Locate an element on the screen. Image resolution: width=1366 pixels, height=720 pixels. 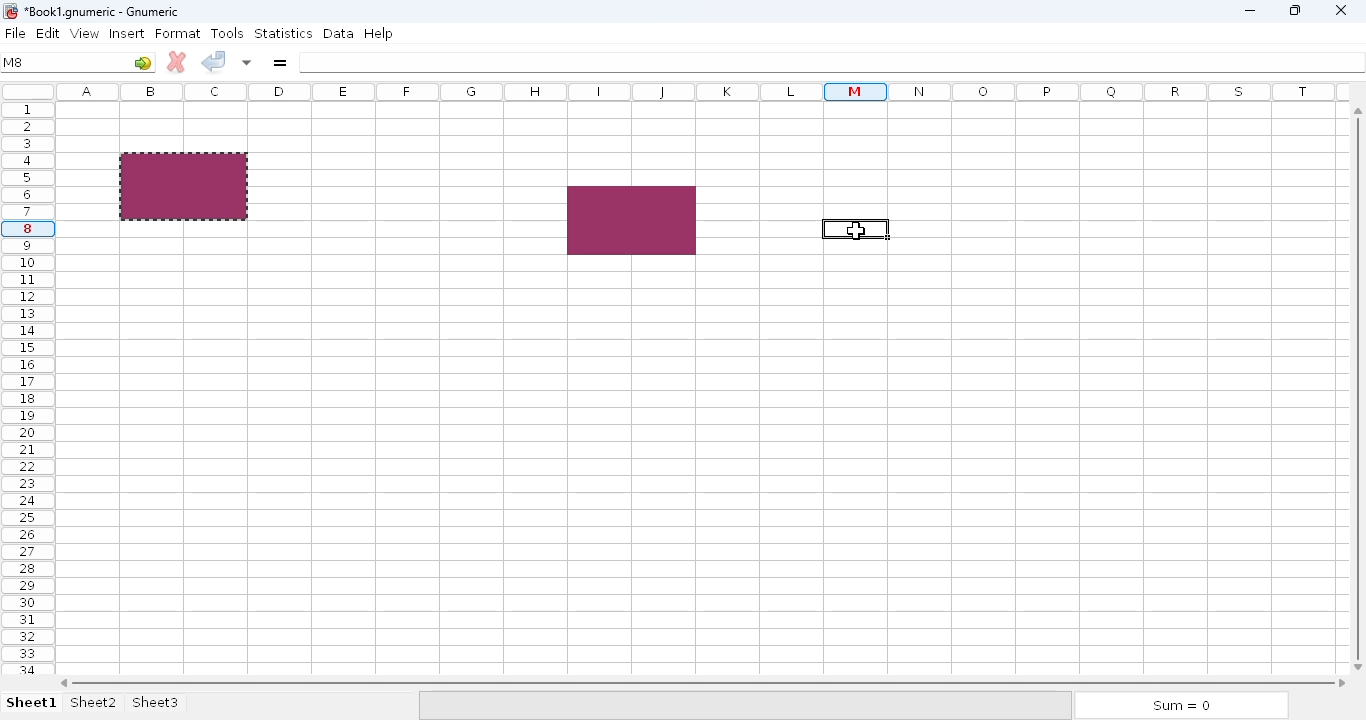
tools is located at coordinates (226, 33).